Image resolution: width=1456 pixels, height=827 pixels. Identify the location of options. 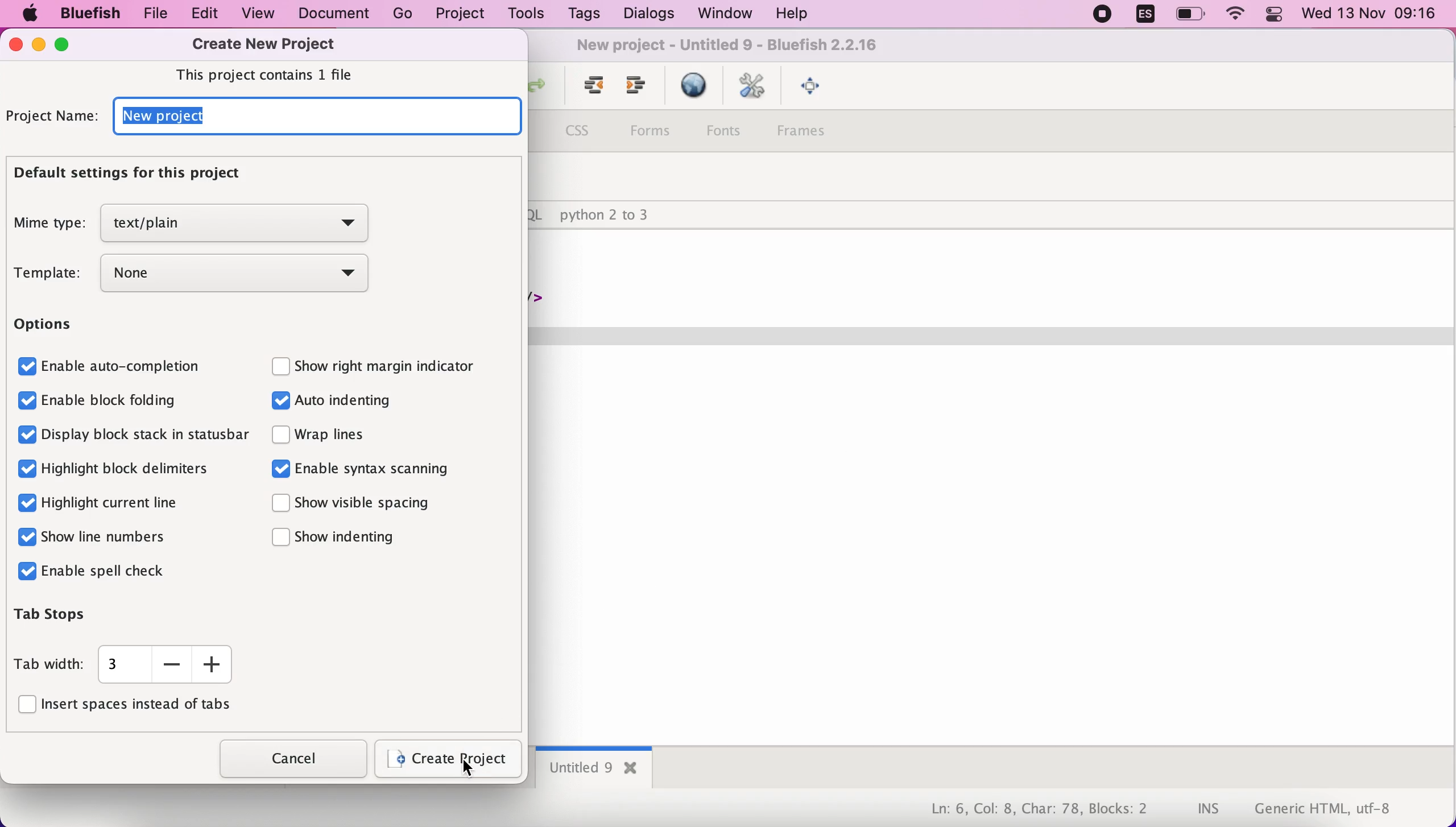
(52, 326).